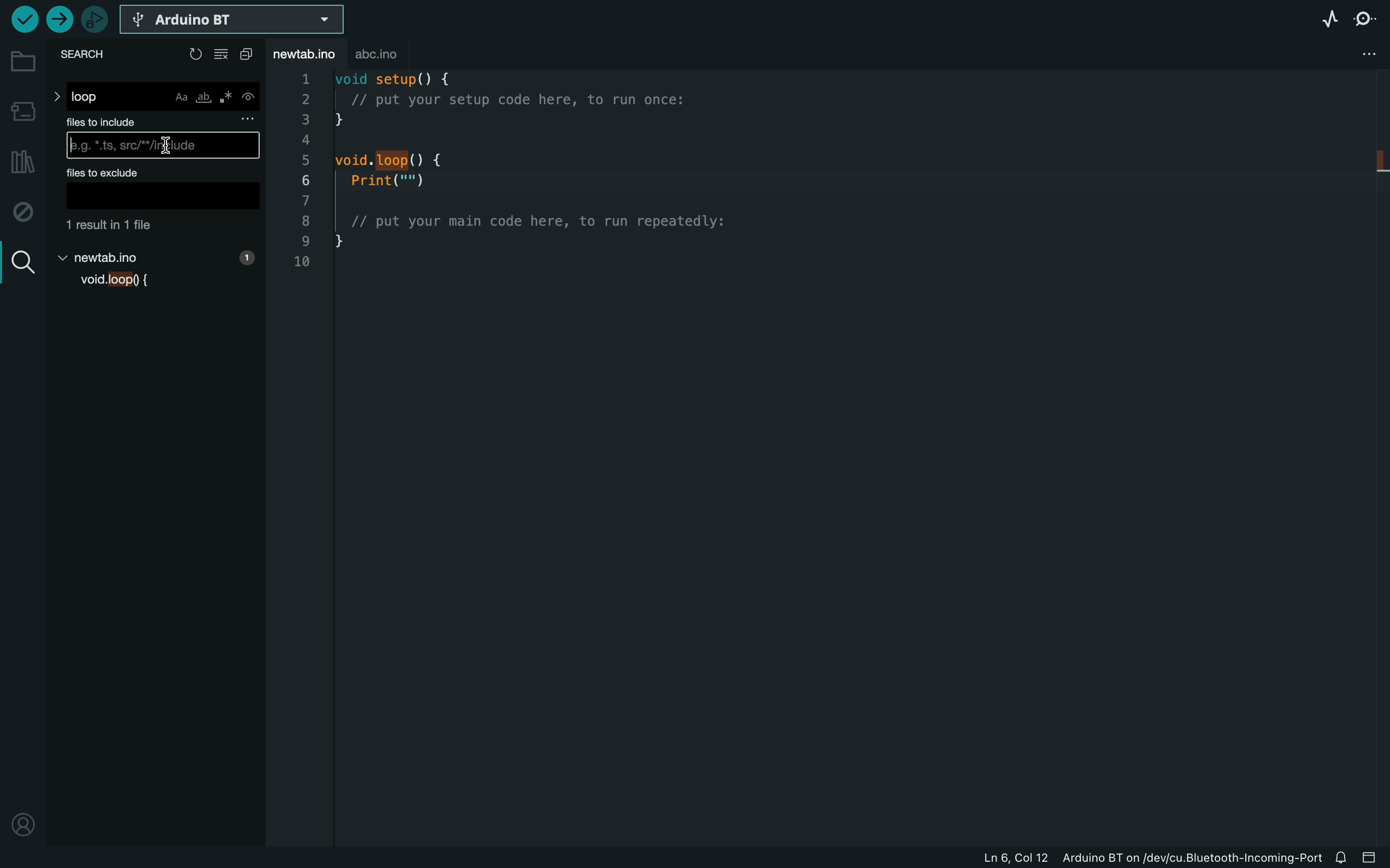 This screenshot has height=868, width=1390. What do you see at coordinates (24, 111) in the screenshot?
I see `board manager` at bounding box center [24, 111].